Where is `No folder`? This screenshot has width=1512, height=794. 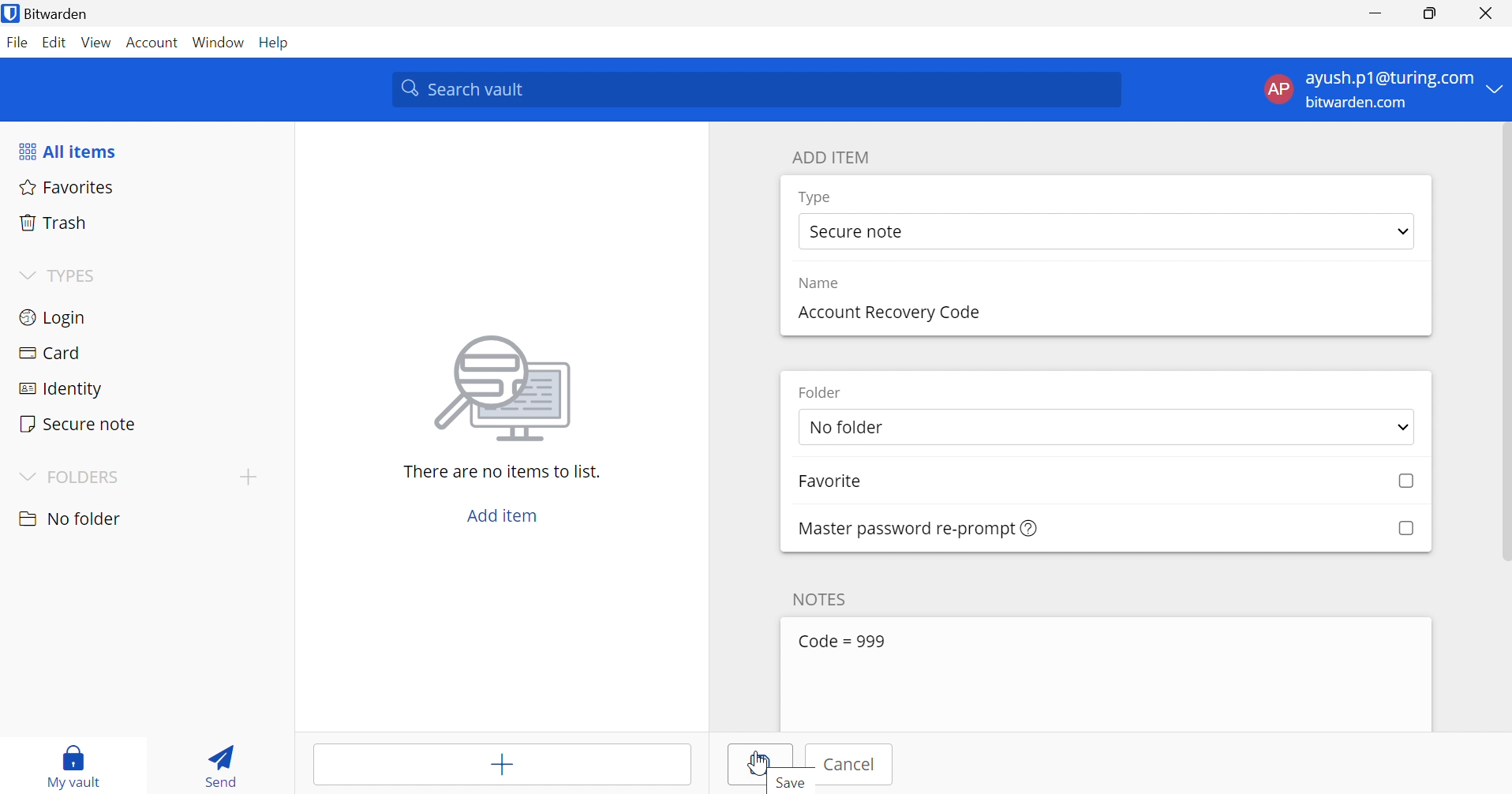
No folder is located at coordinates (73, 519).